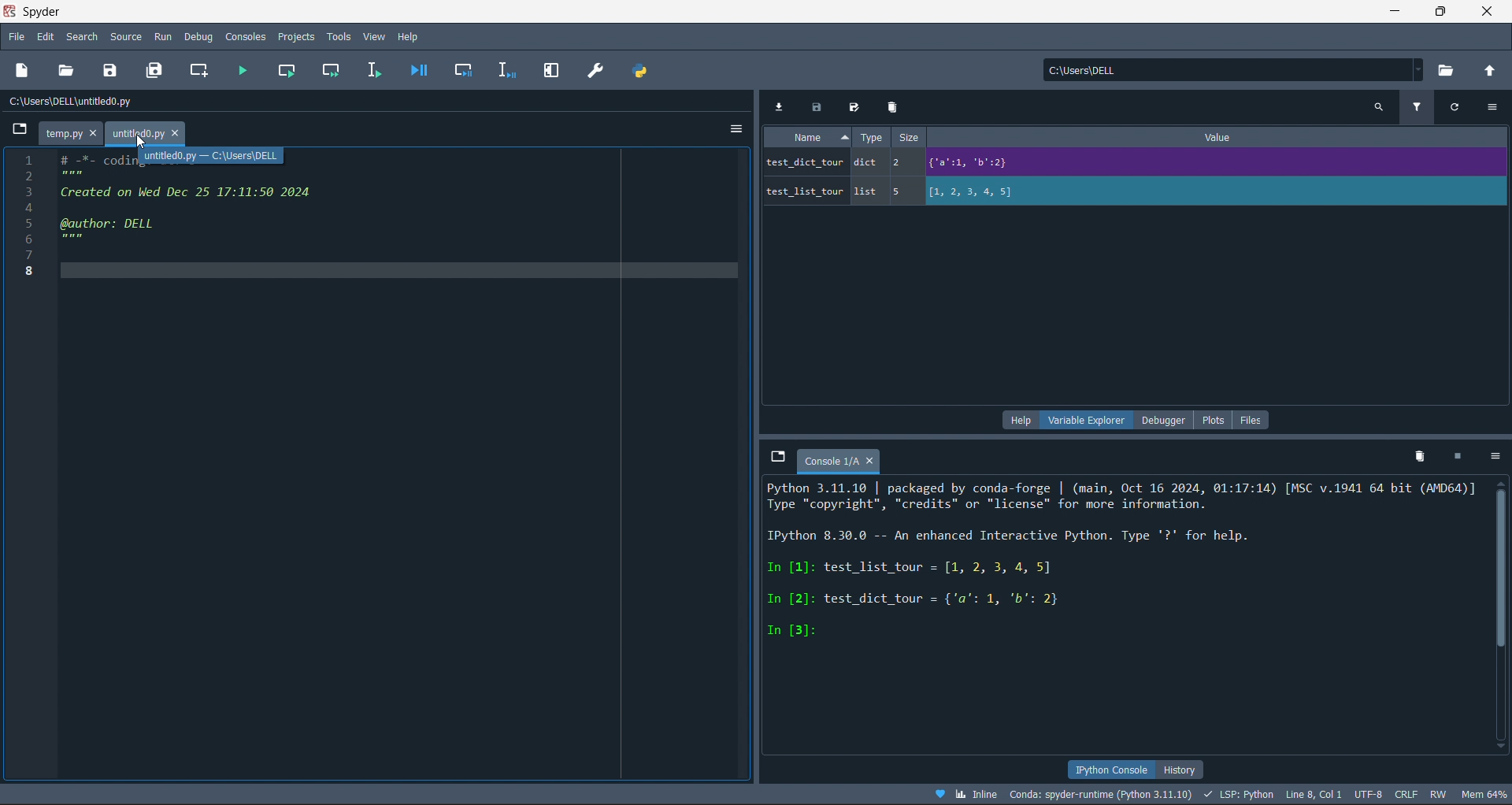 This screenshot has height=805, width=1512. What do you see at coordinates (467, 70) in the screenshot?
I see `debug cell` at bounding box center [467, 70].